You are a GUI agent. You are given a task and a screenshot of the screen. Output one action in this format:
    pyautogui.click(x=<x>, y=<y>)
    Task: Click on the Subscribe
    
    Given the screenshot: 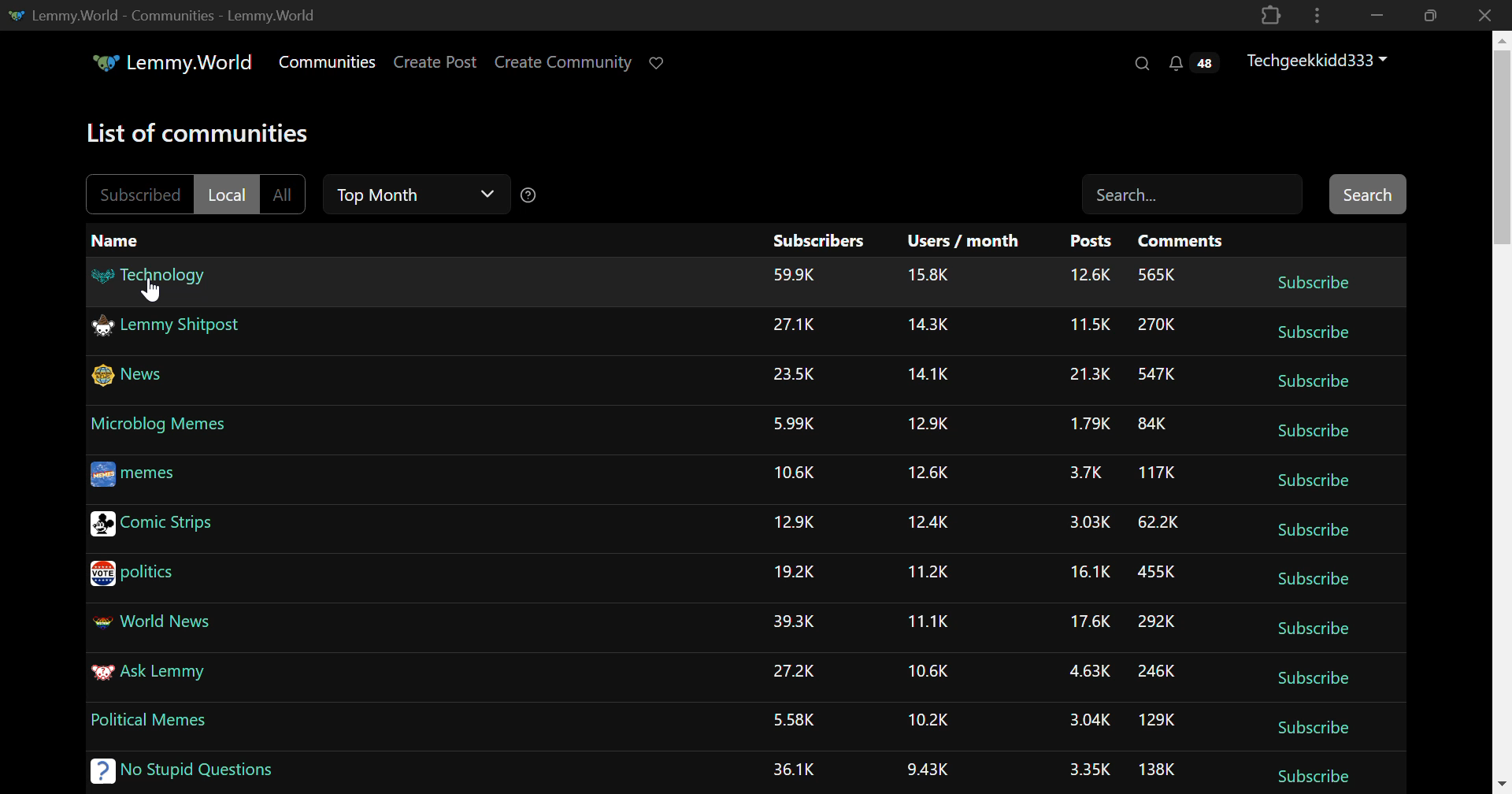 What is the action you would take?
    pyautogui.click(x=1312, y=384)
    